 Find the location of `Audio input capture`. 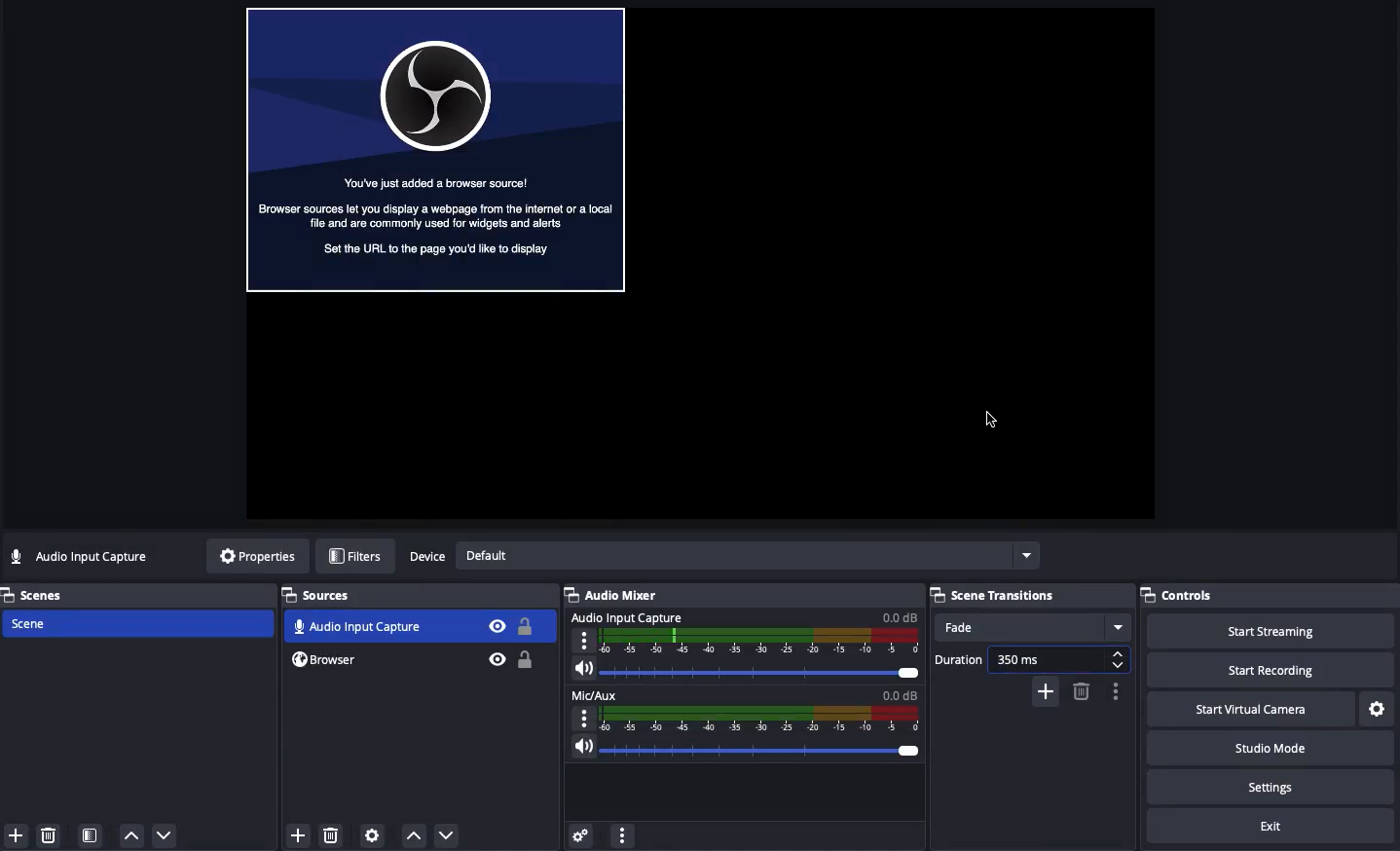

Audio input capture is located at coordinates (750, 632).